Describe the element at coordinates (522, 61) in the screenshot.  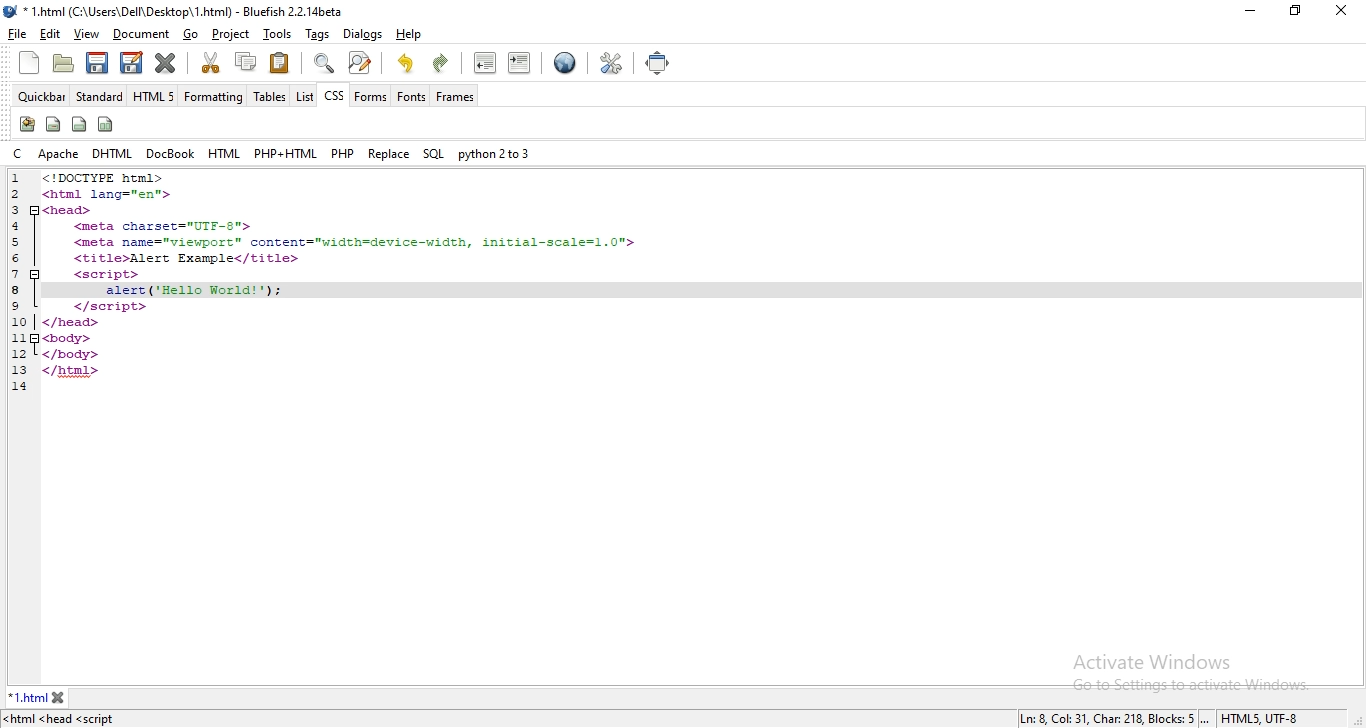
I see `indent` at that location.